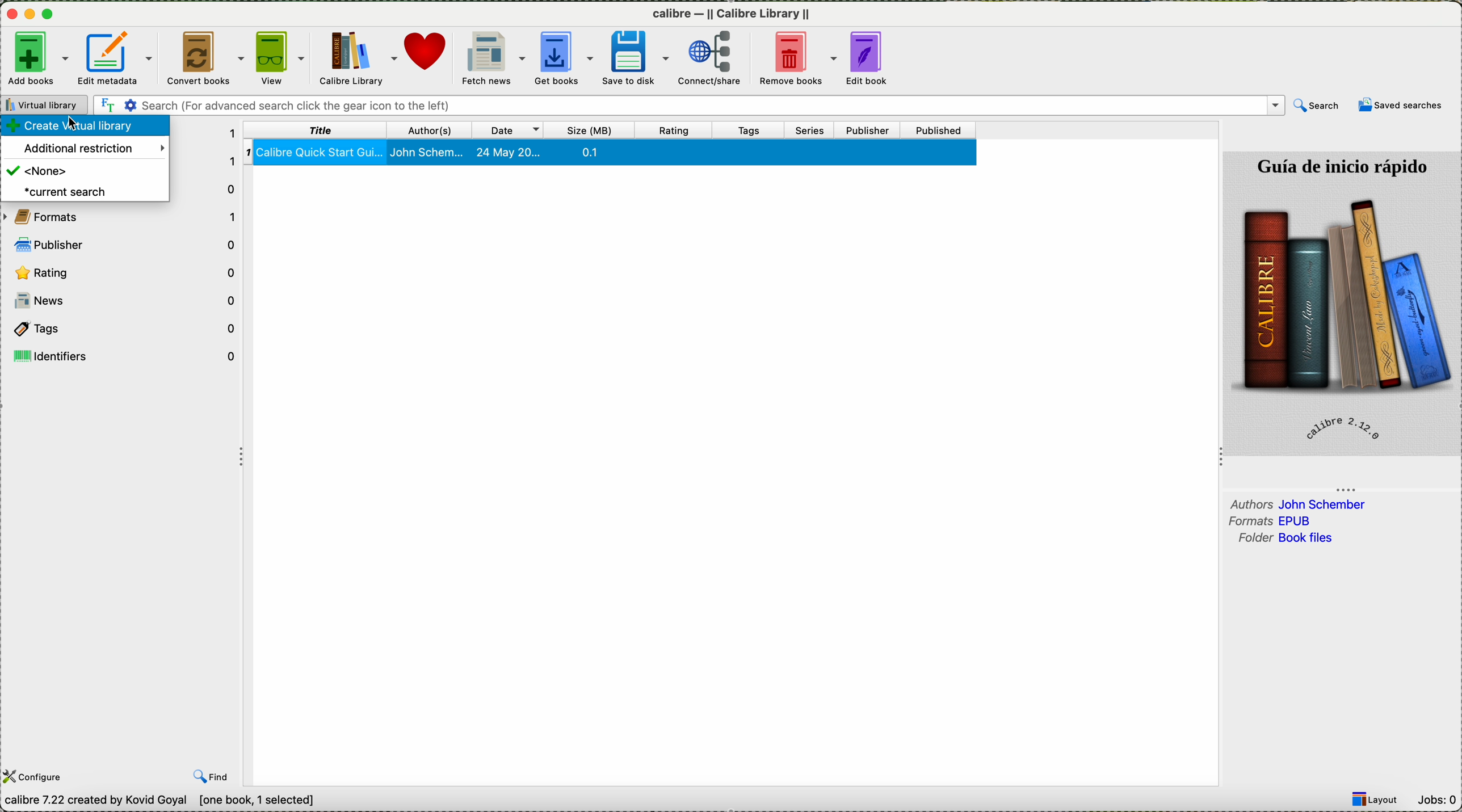 This screenshot has width=1462, height=812. I want to click on maximize program, so click(52, 14).